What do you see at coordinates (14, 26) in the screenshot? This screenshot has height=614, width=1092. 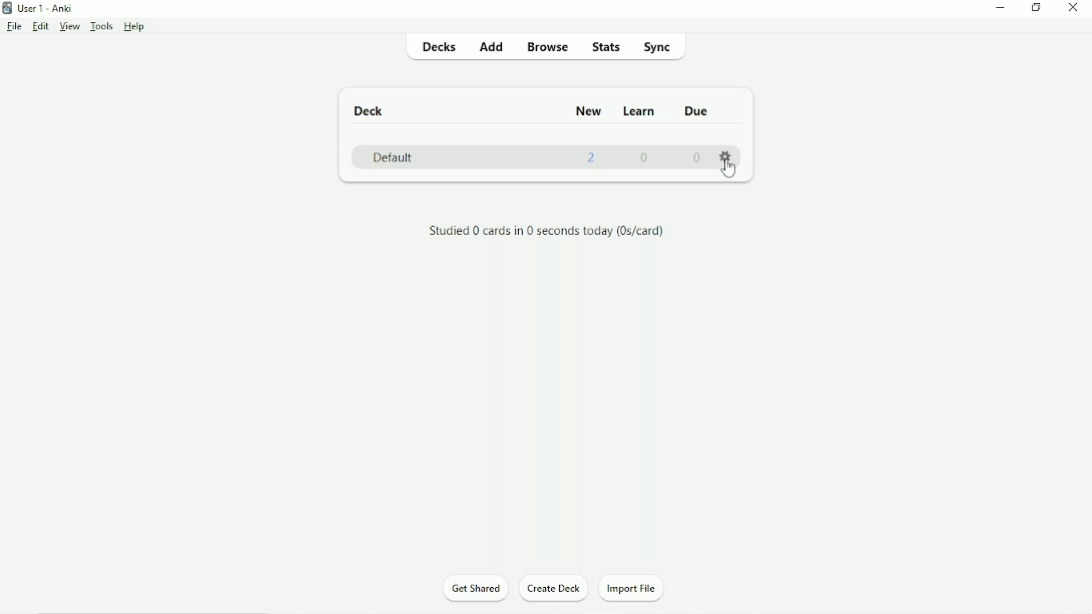 I see `File` at bounding box center [14, 26].